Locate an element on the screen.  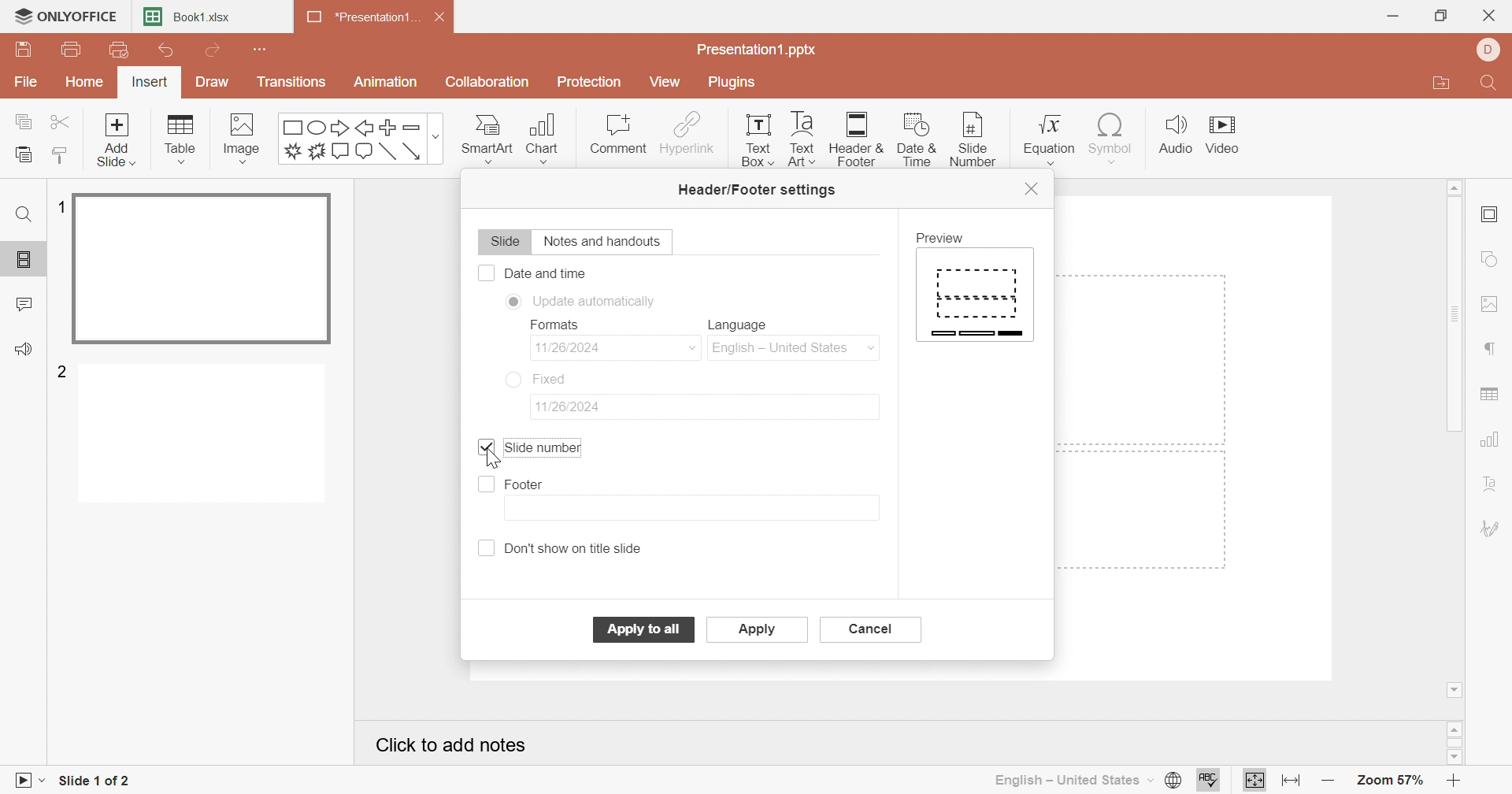
Protection is located at coordinates (591, 84).